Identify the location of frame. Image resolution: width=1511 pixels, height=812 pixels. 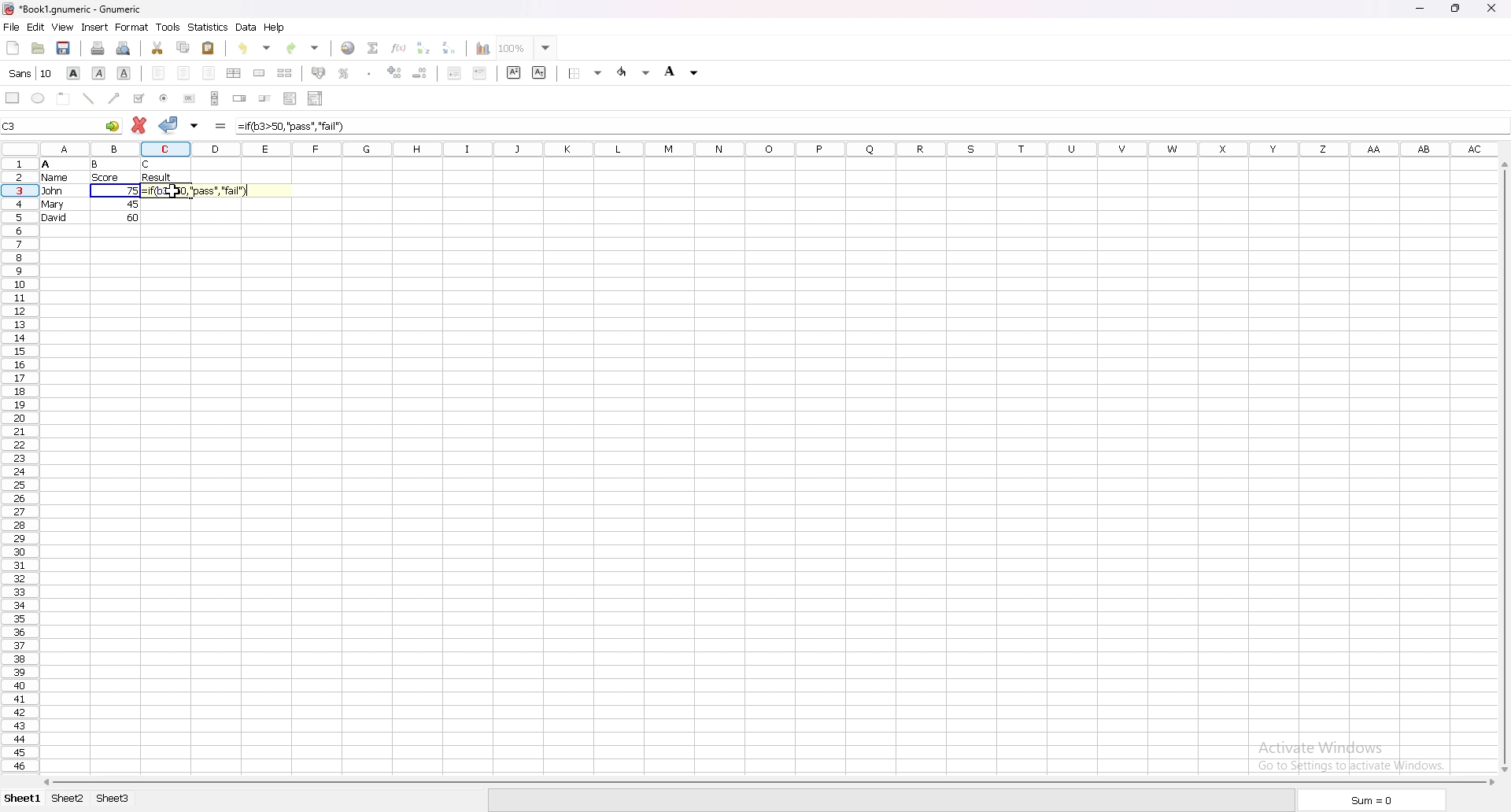
(63, 99).